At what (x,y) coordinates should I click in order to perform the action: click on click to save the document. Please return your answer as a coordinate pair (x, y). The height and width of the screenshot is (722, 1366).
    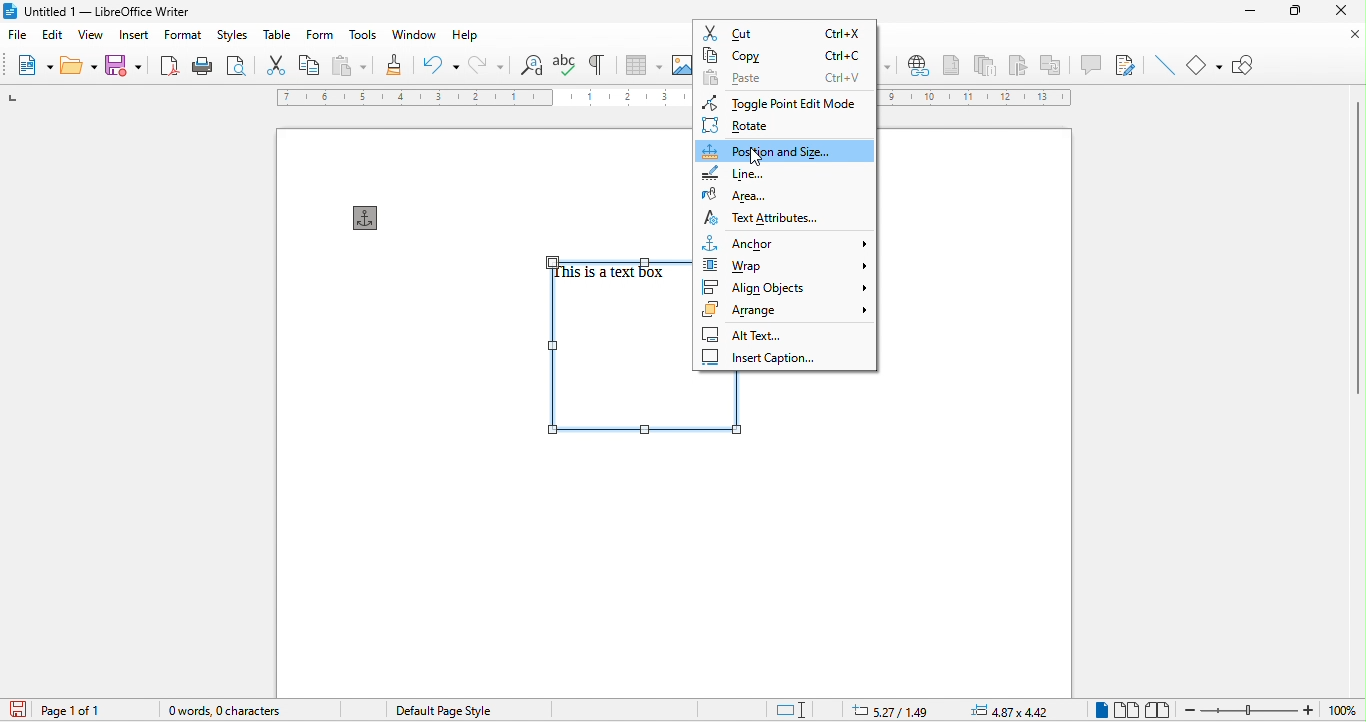
    Looking at the image, I should click on (16, 710).